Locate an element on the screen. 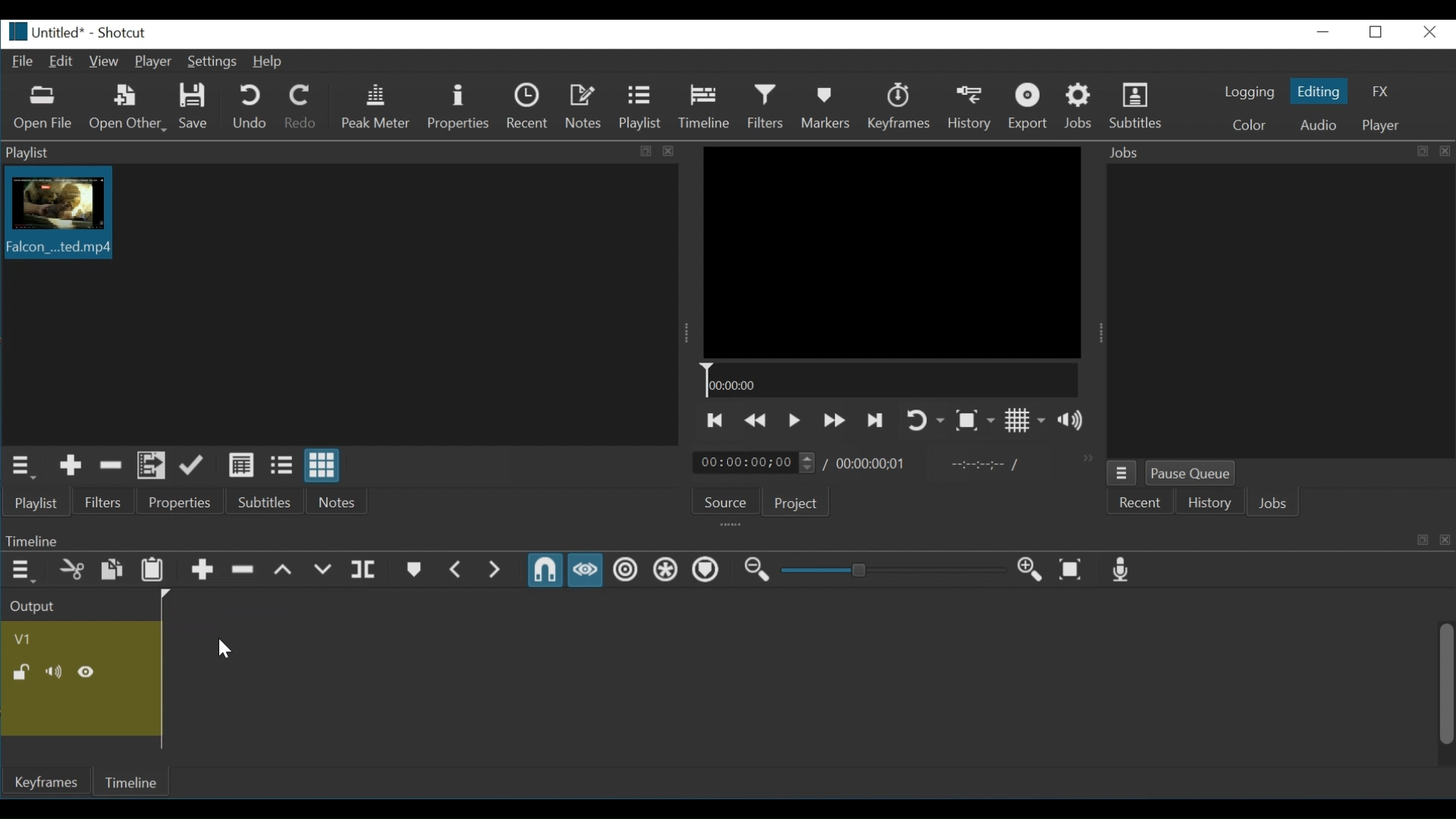 Image resolution: width=1456 pixels, height=819 pixels. Markers is located at coordinates (827, 106).